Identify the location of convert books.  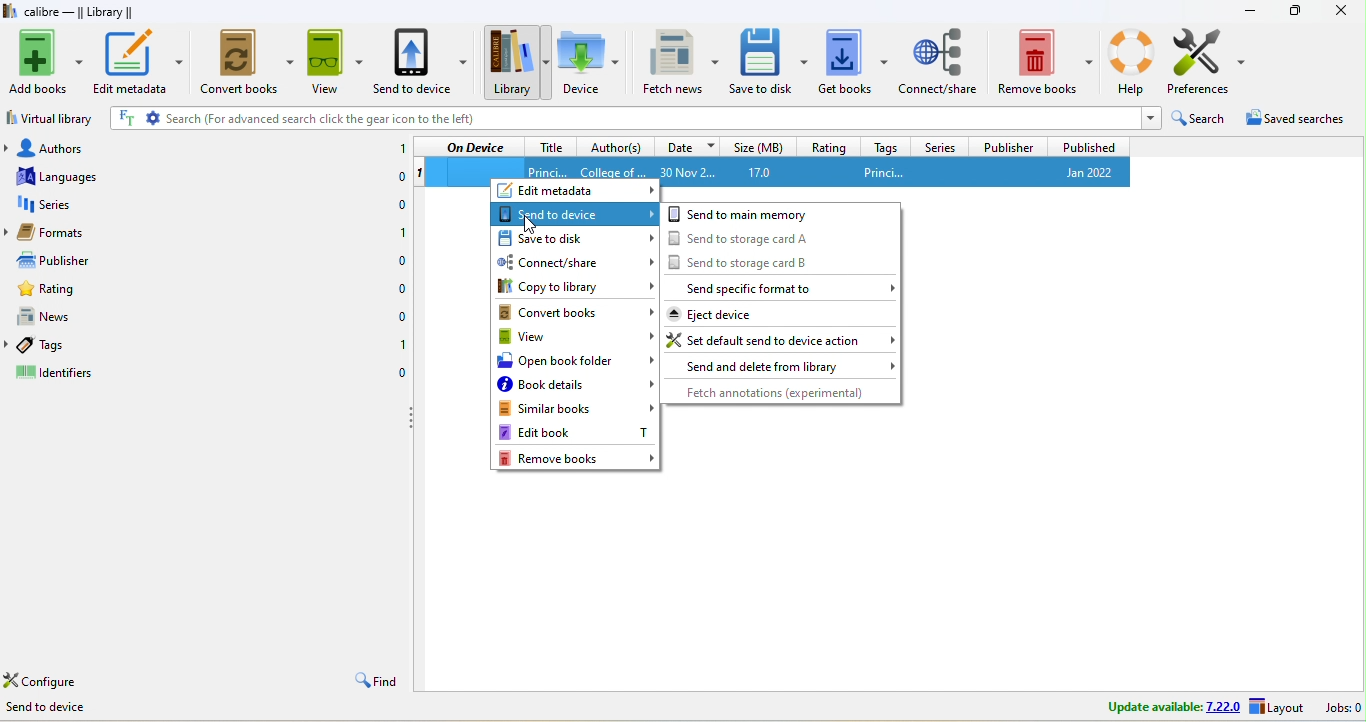
(572, 312).